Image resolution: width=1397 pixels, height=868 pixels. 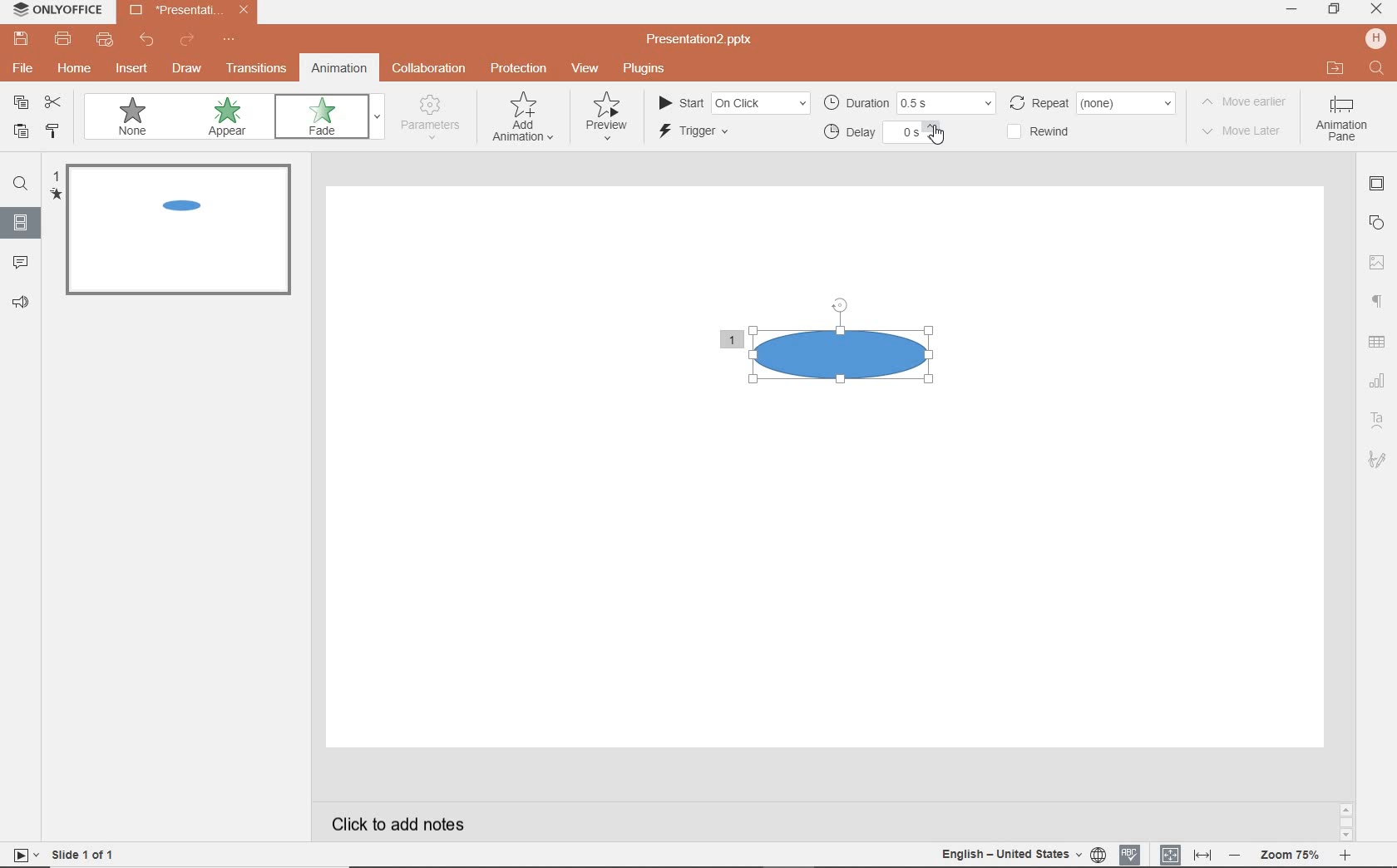 I want to click on save, so click(x=21, y=41).